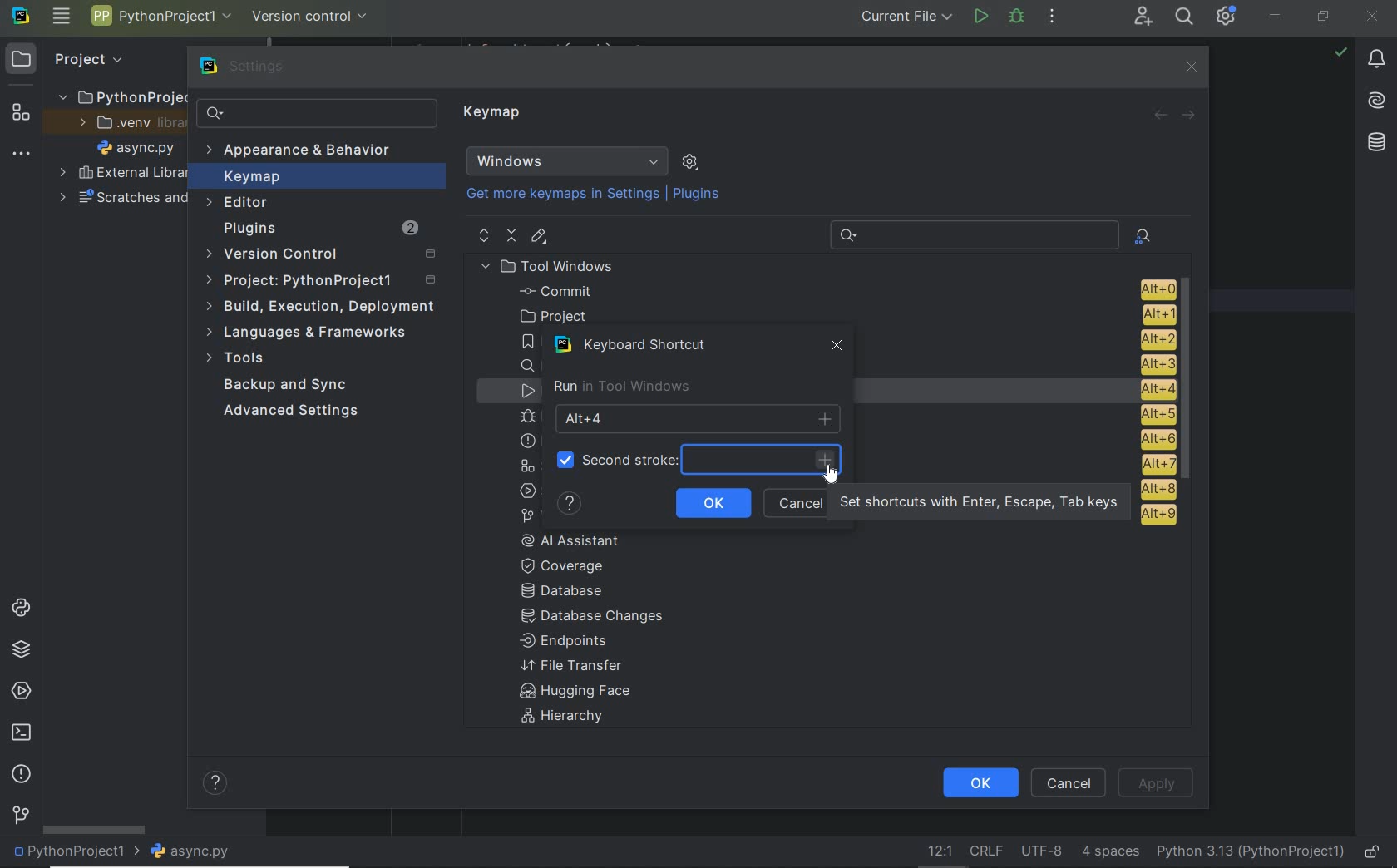  What do you see at coordinates (124, 123) in the screenshot?
I see `.venv` at bounding box center [124, 123].